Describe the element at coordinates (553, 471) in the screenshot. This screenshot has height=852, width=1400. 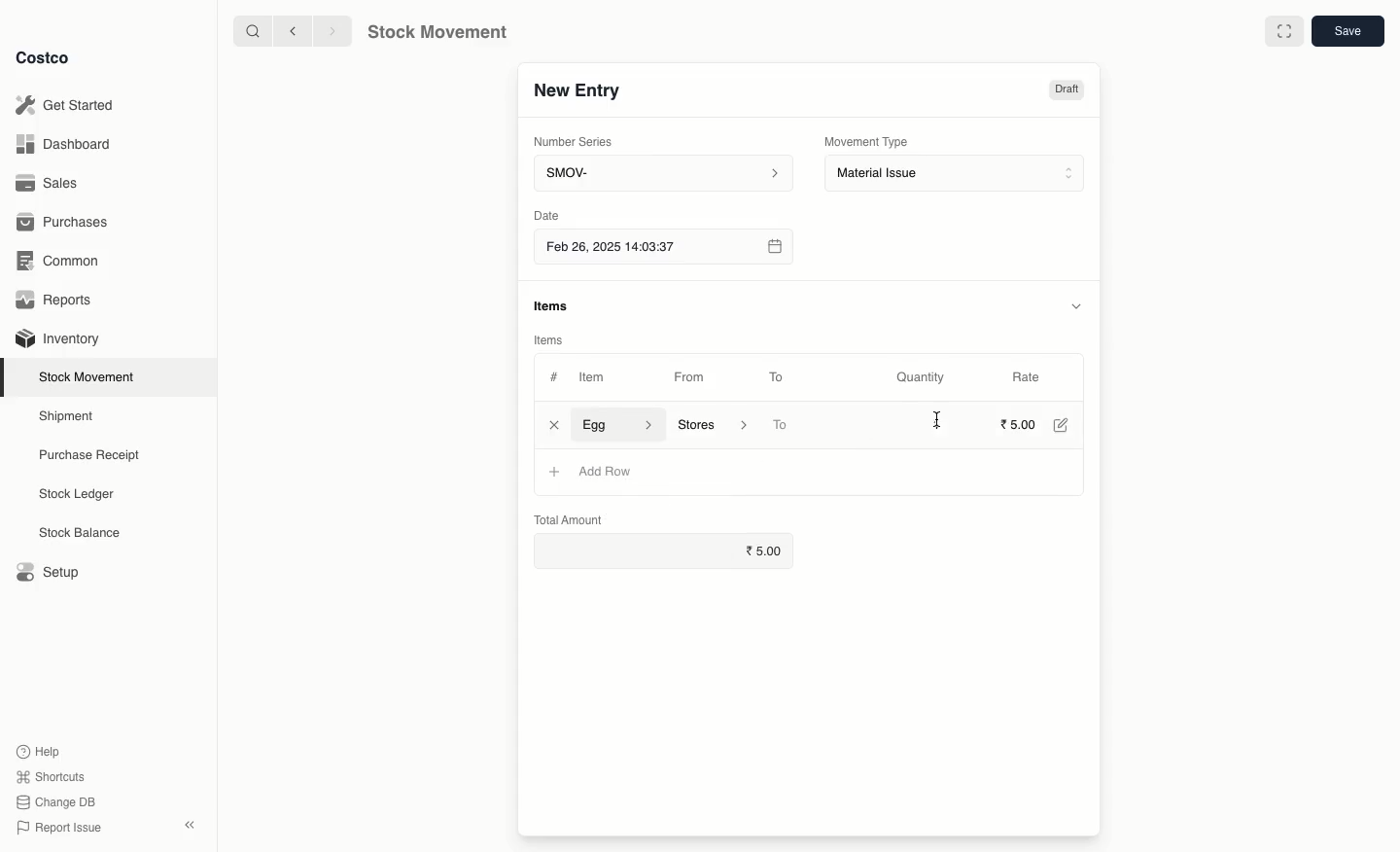
I see `+` at that location.